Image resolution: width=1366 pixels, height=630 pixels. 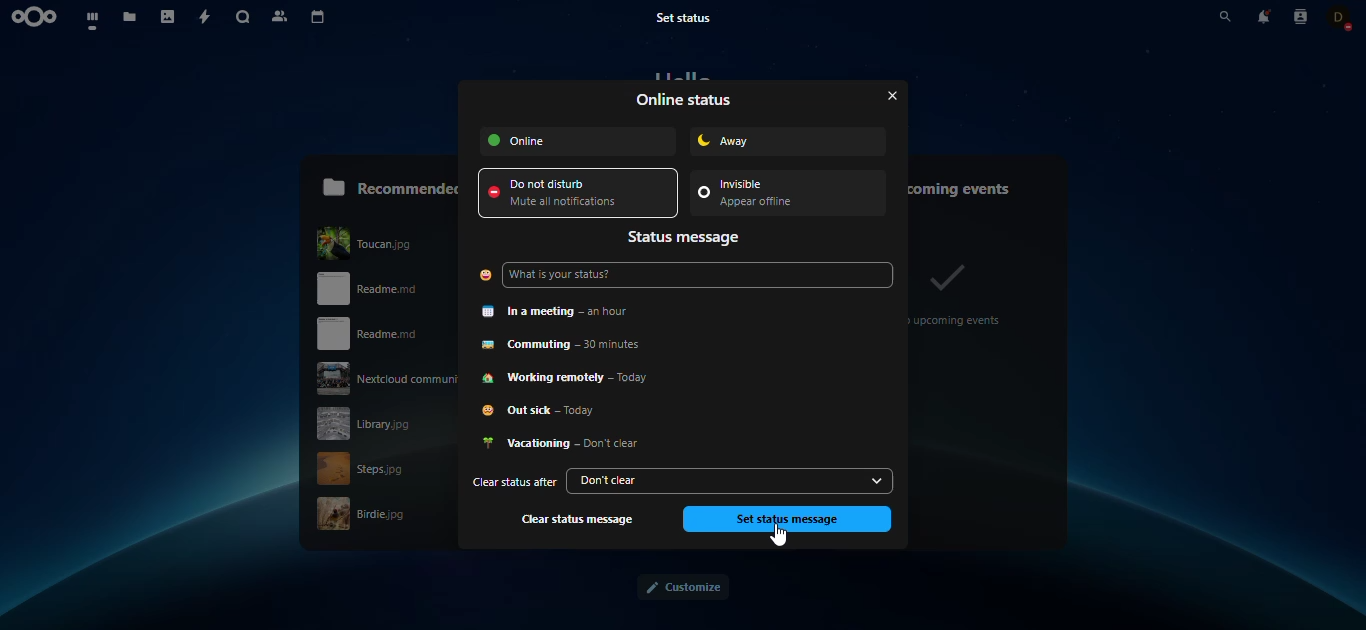 What do you see at coordinates (972, 184) in the screenshot?
I see `upcoming events` at bounding box center [972, 184].